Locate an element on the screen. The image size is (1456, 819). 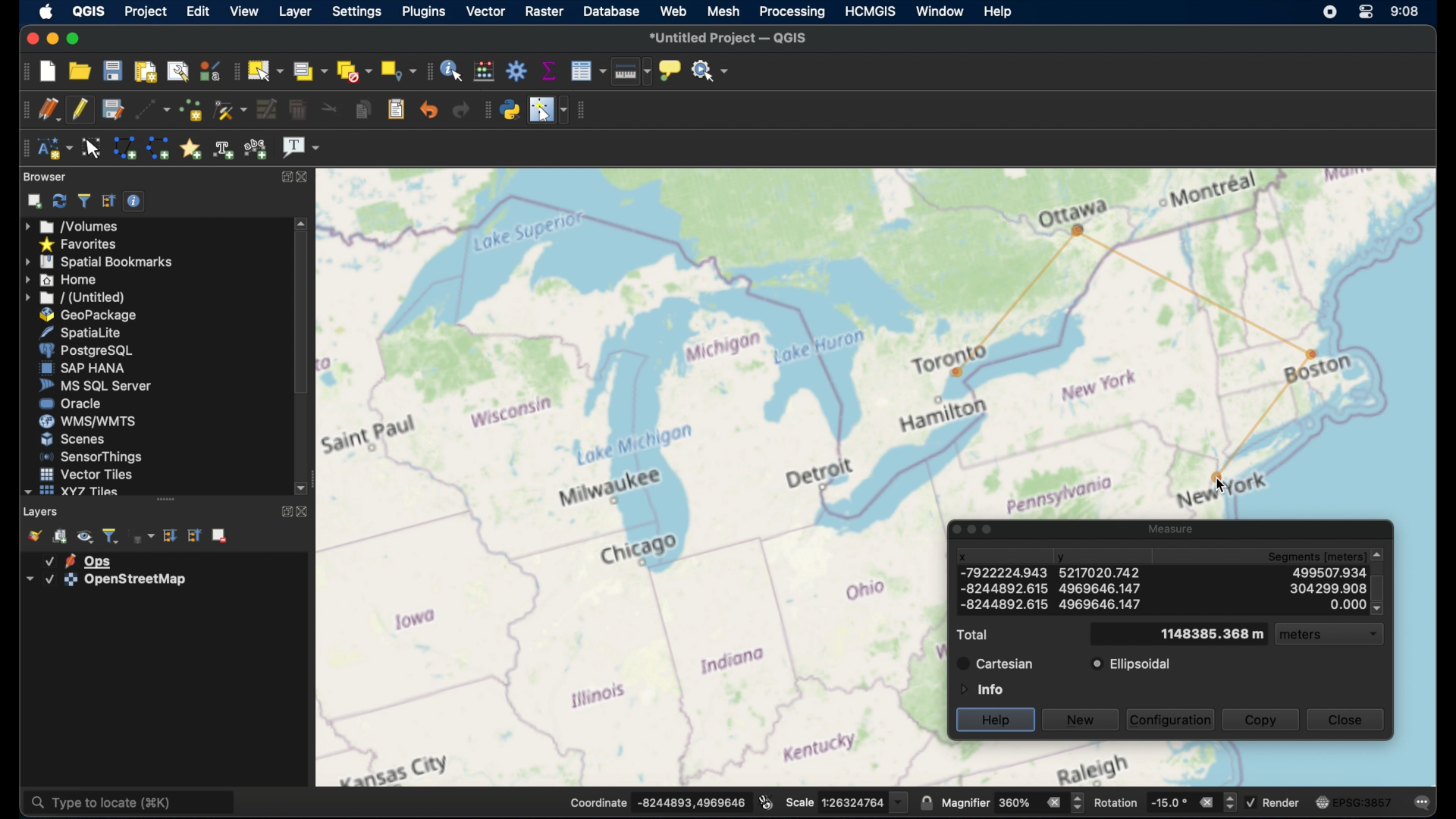
new is located at coordinates (1082, 718).